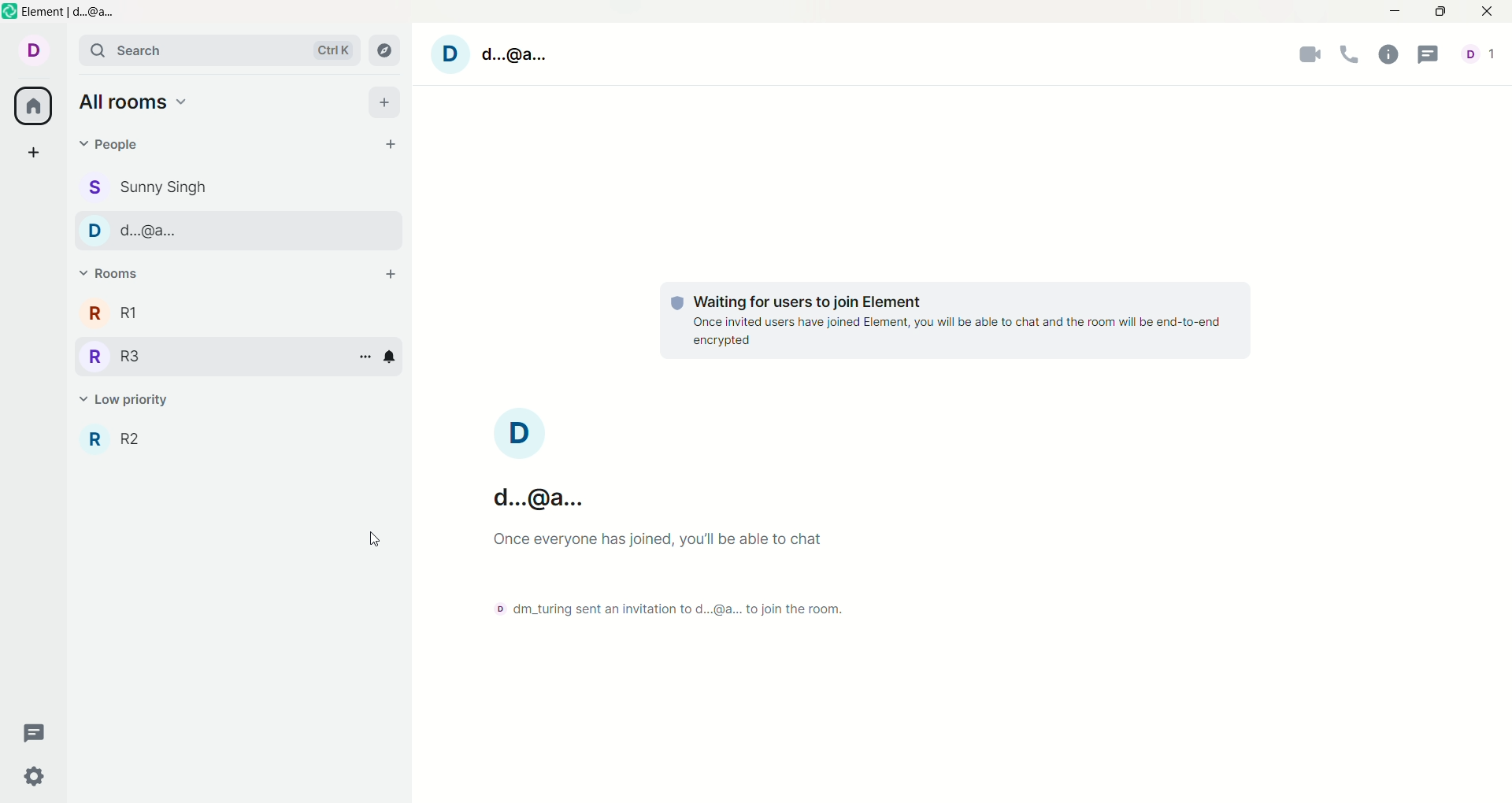  Describe the element at coordinates (388, 49) in the screenshot. I see `explore rooms` at that location.